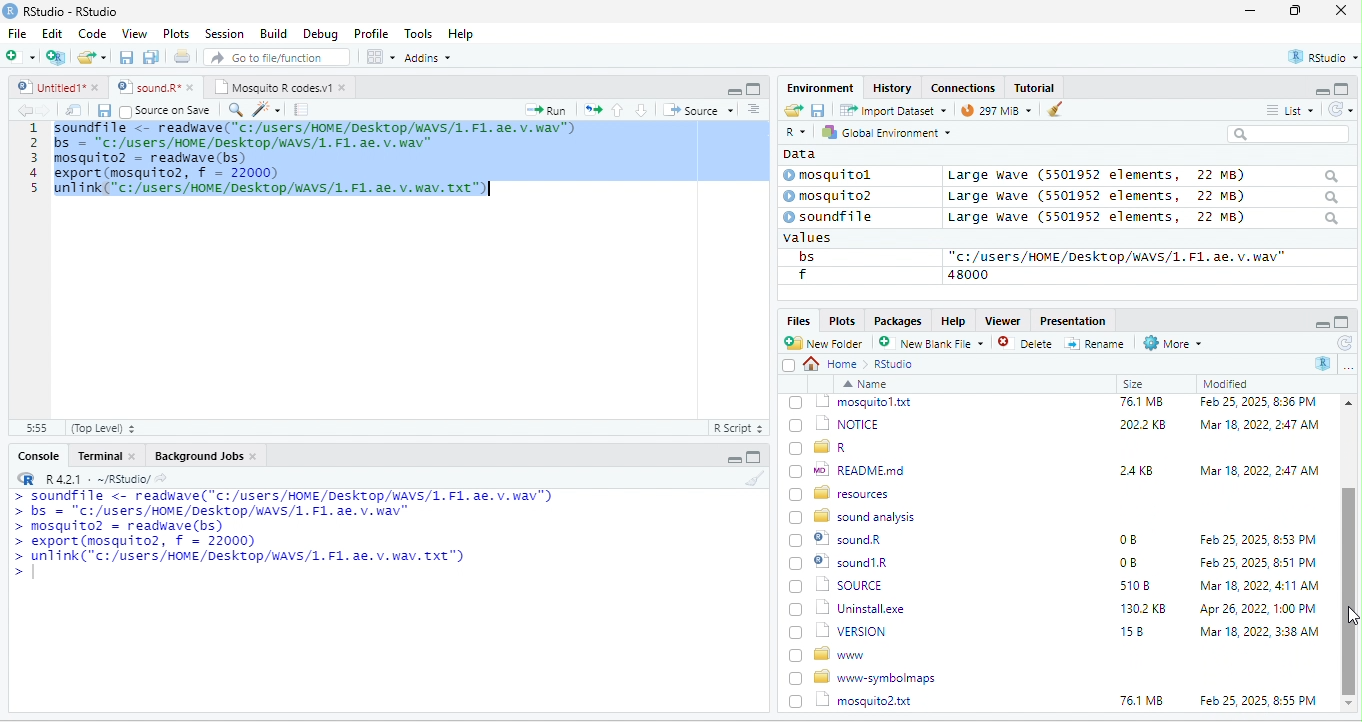  I want to click on New Folder, so click(828, 343).